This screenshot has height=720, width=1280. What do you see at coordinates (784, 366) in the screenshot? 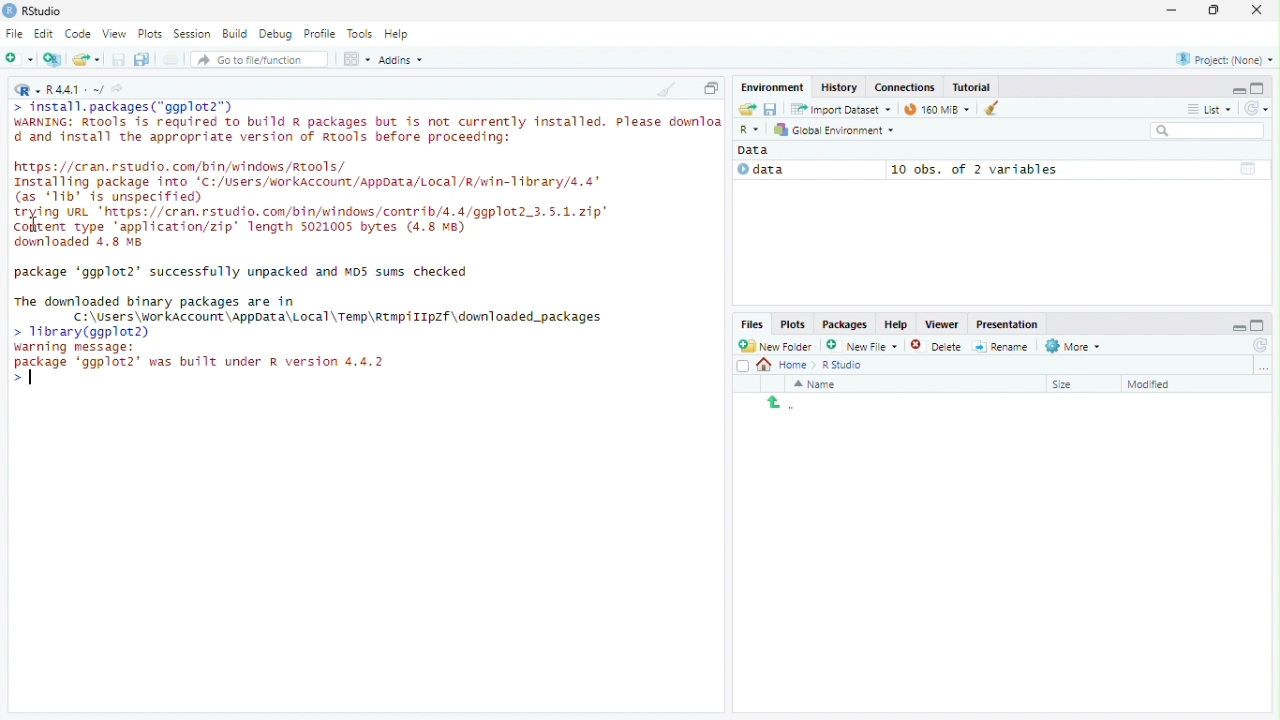
I see `Home` at bounding box center [784, 366].